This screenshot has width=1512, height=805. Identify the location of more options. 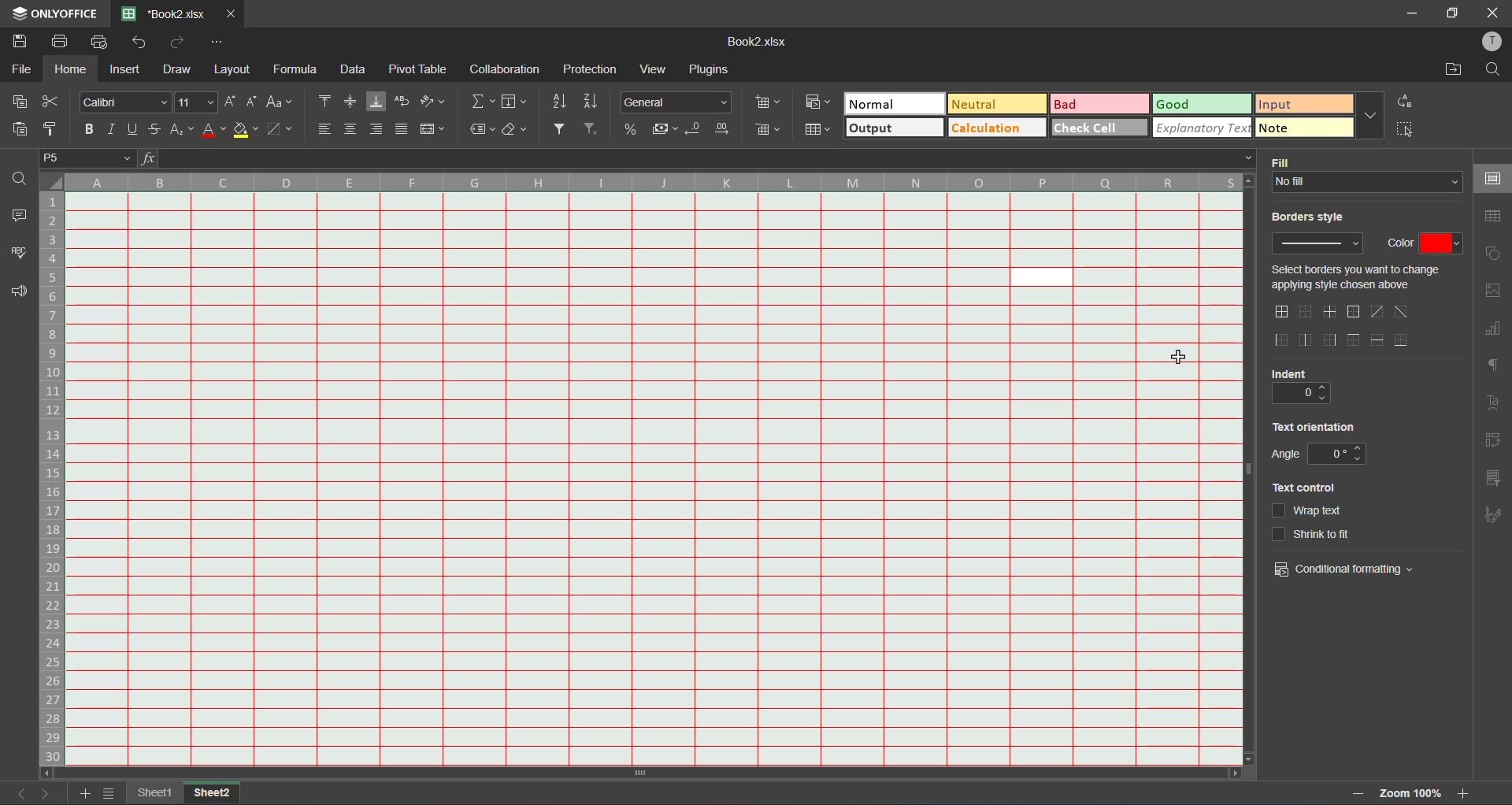
(1366, 116).